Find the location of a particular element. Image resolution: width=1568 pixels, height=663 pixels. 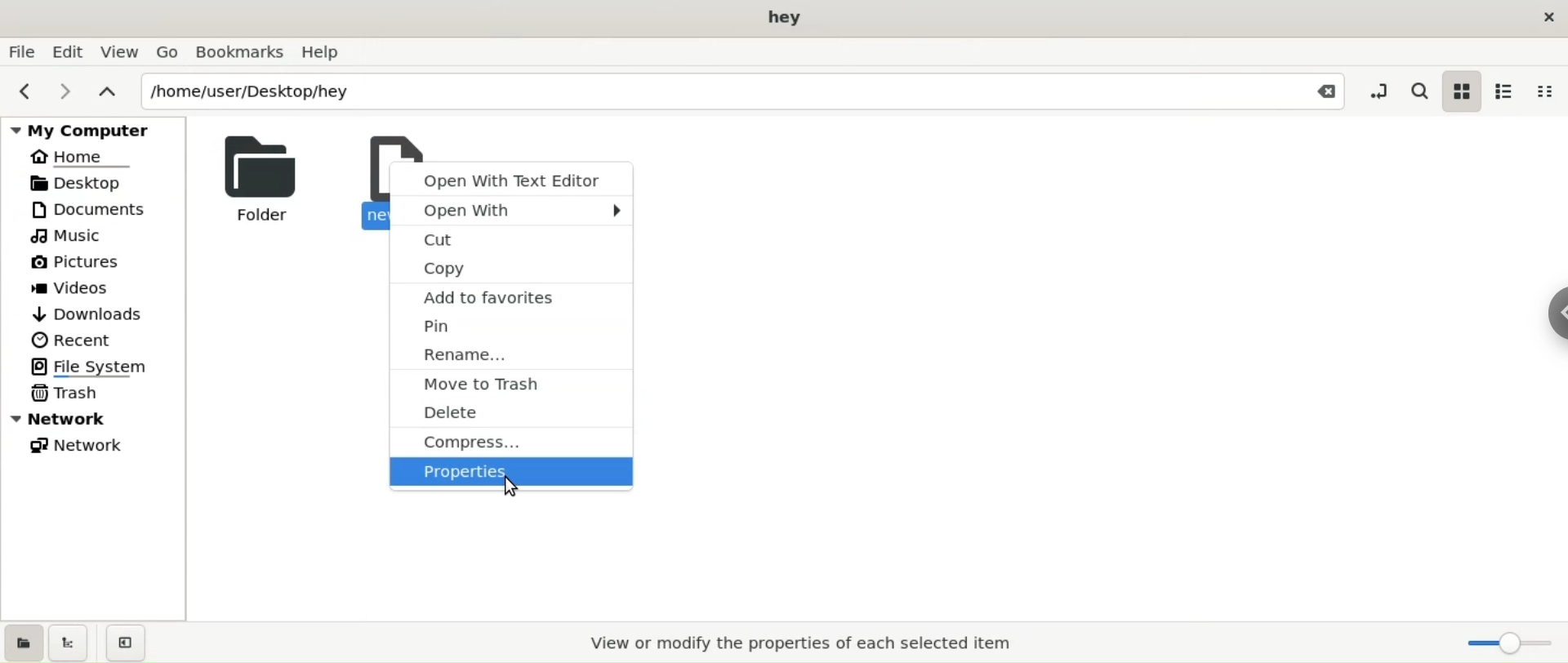

cursor is located at coordinates (511, 488).